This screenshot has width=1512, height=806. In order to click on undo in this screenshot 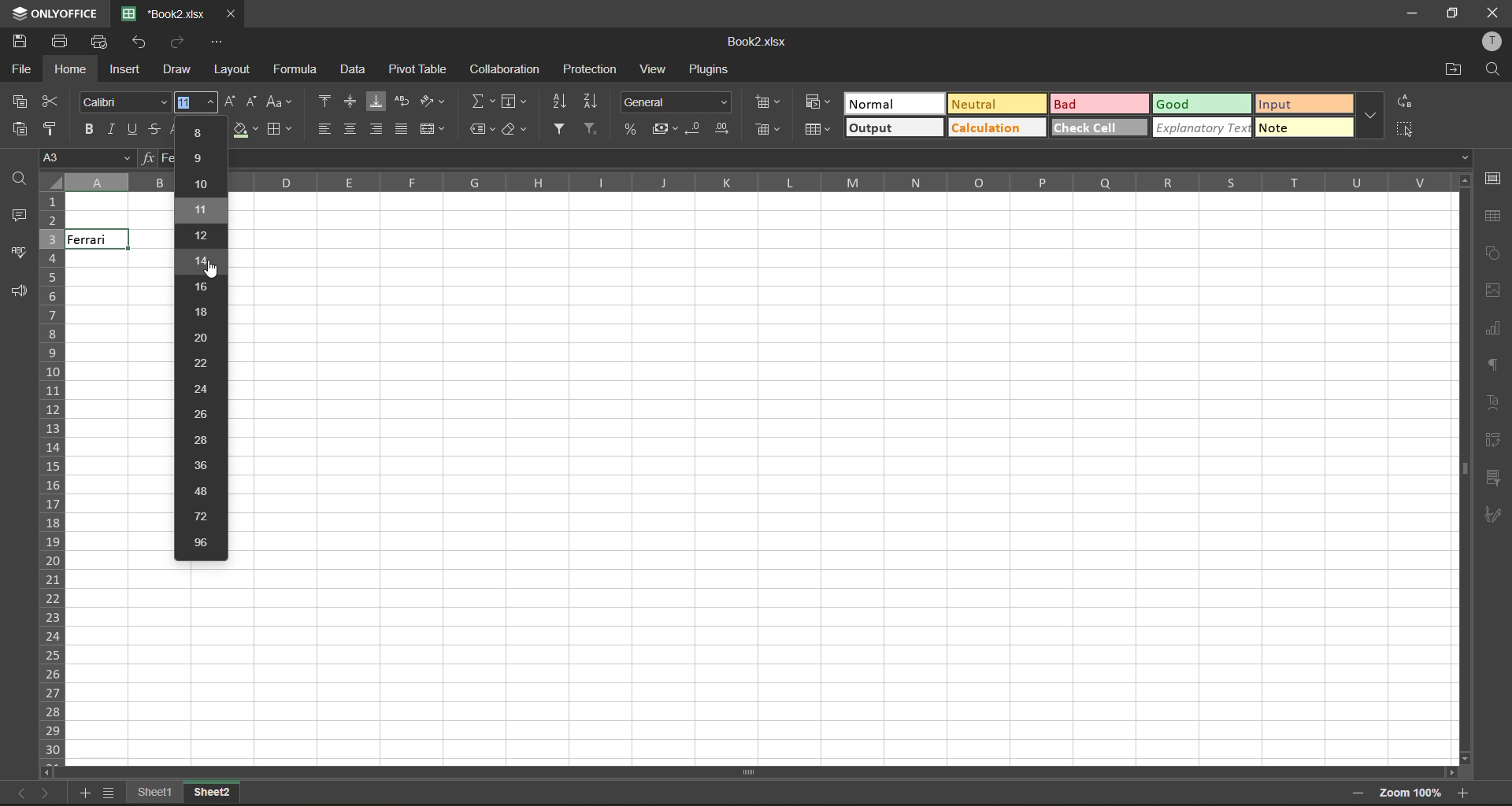, I will do `click(139, 43)`.